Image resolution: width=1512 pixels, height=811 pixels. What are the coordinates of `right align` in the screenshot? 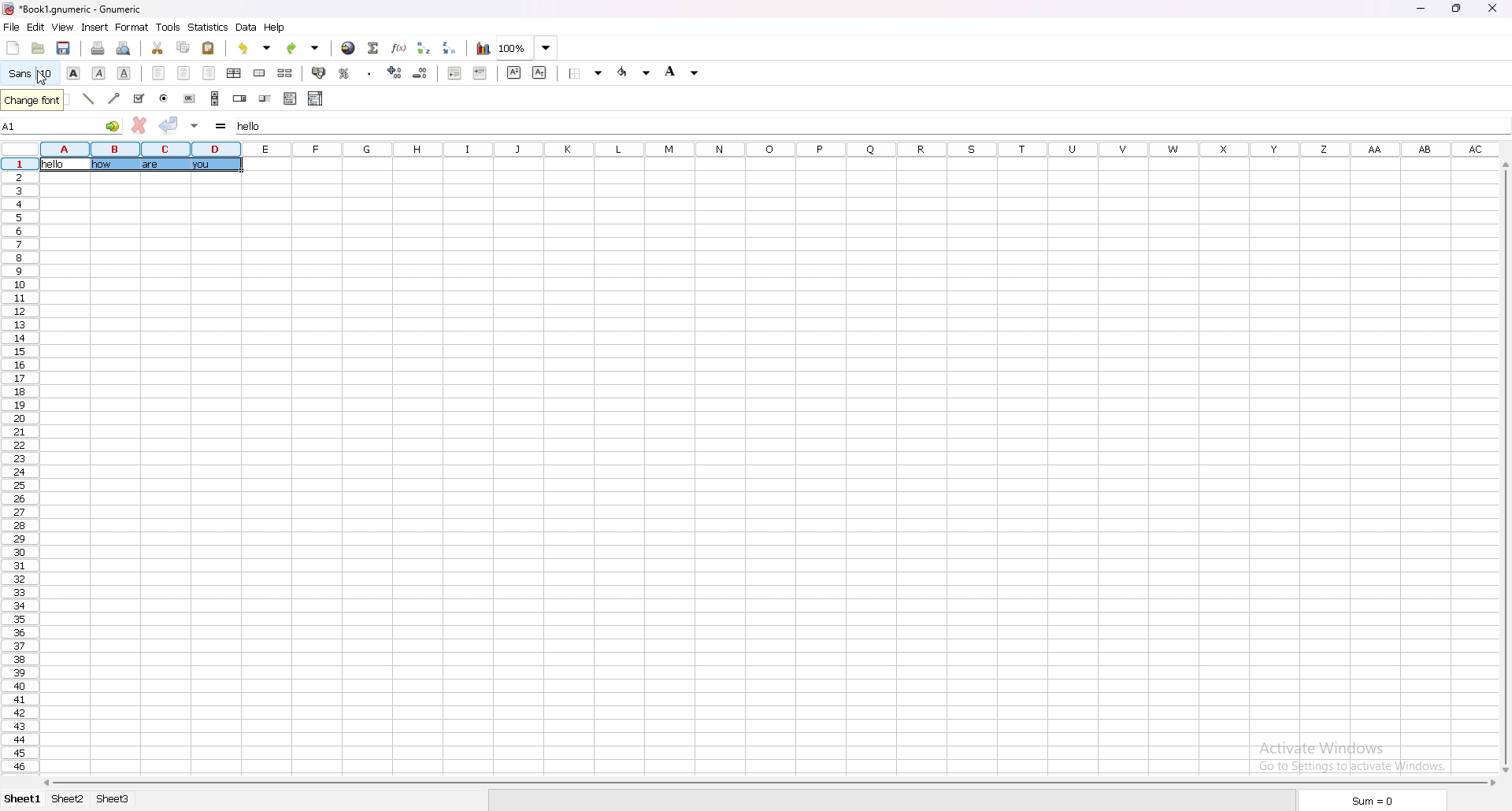 It's located at (209, 73).